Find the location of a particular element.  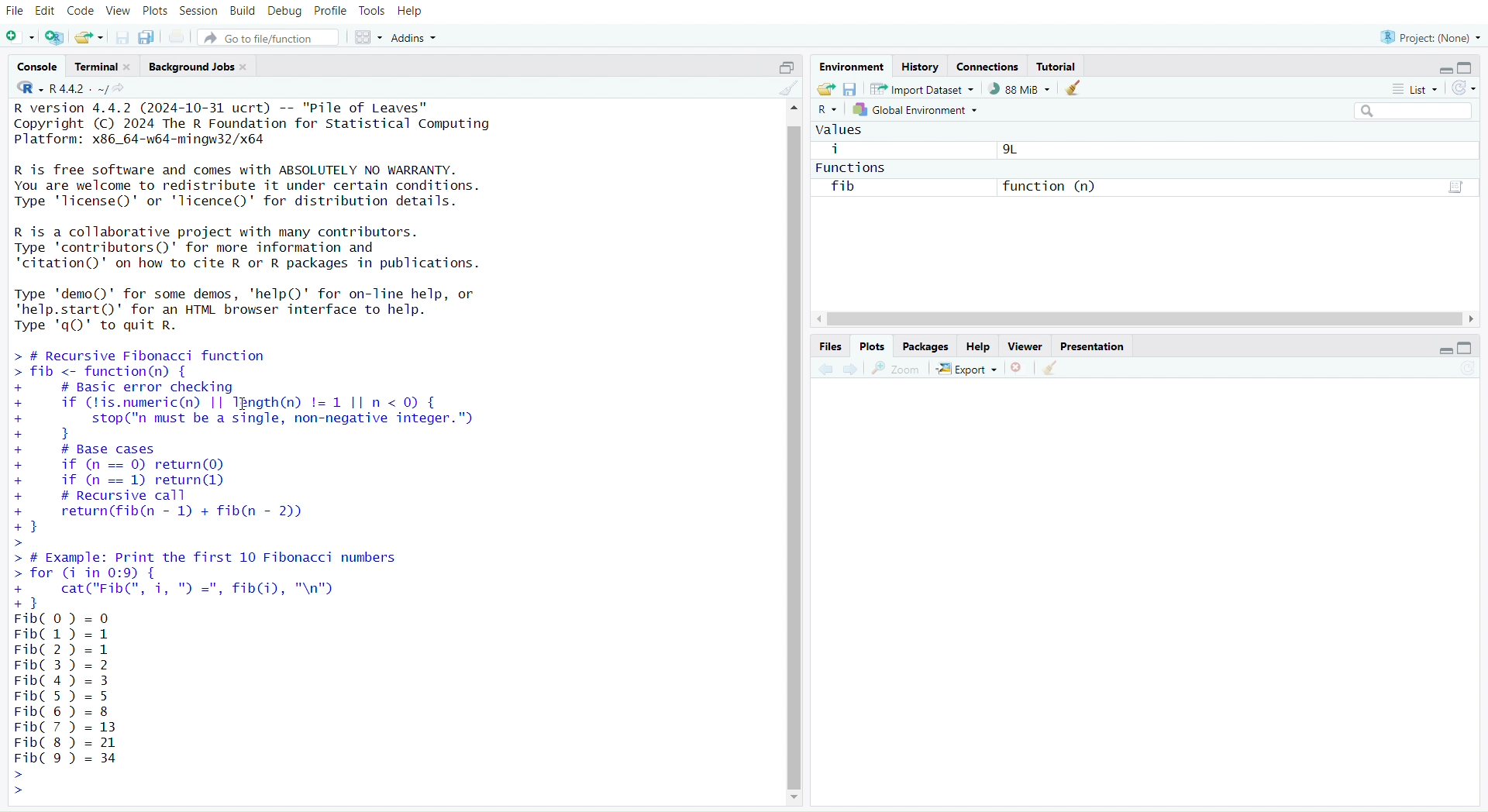

project(None) is located at coordinates (1428, 38).